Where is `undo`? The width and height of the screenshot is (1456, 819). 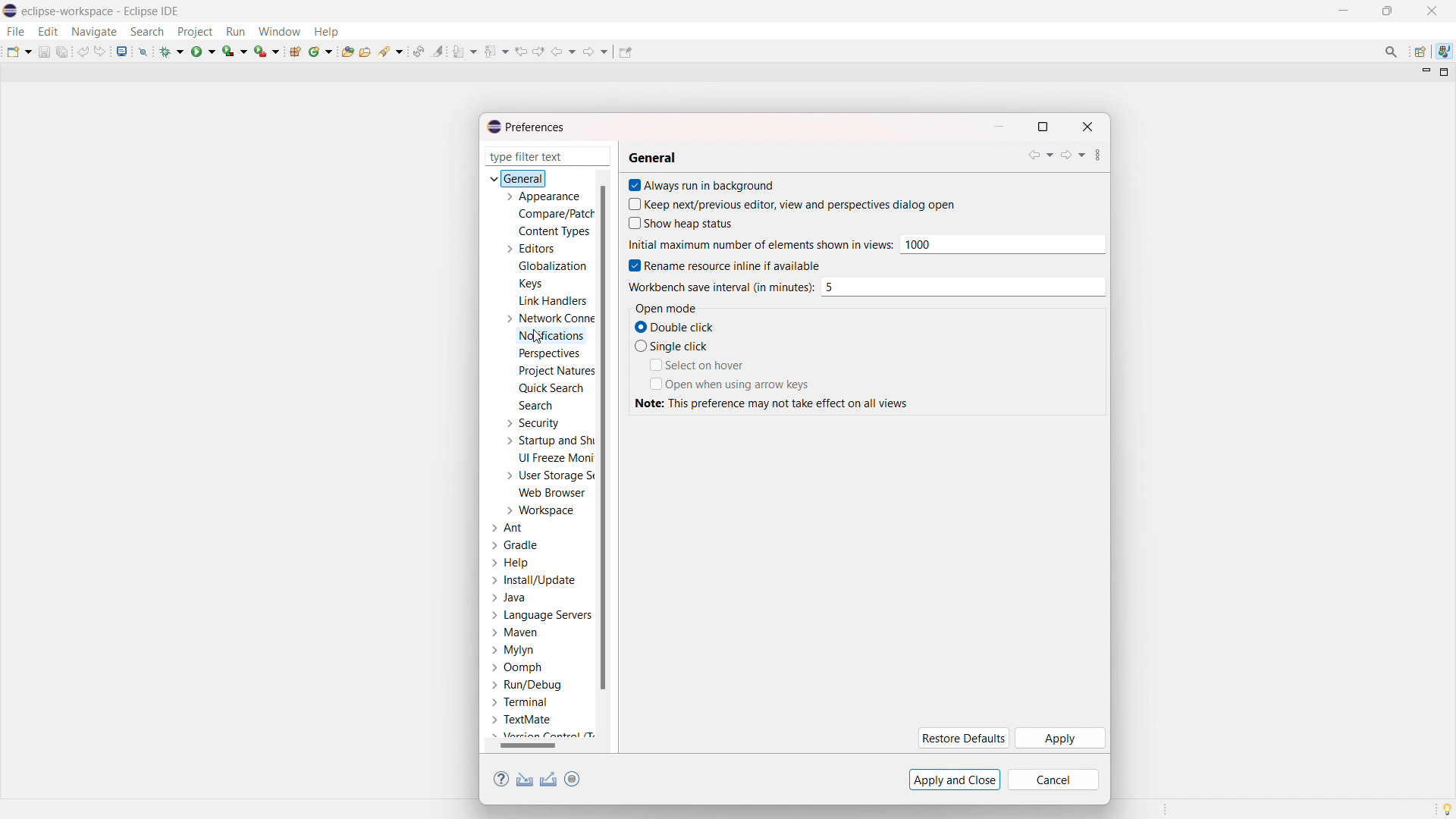
undo is located at coordinates (83, 52).